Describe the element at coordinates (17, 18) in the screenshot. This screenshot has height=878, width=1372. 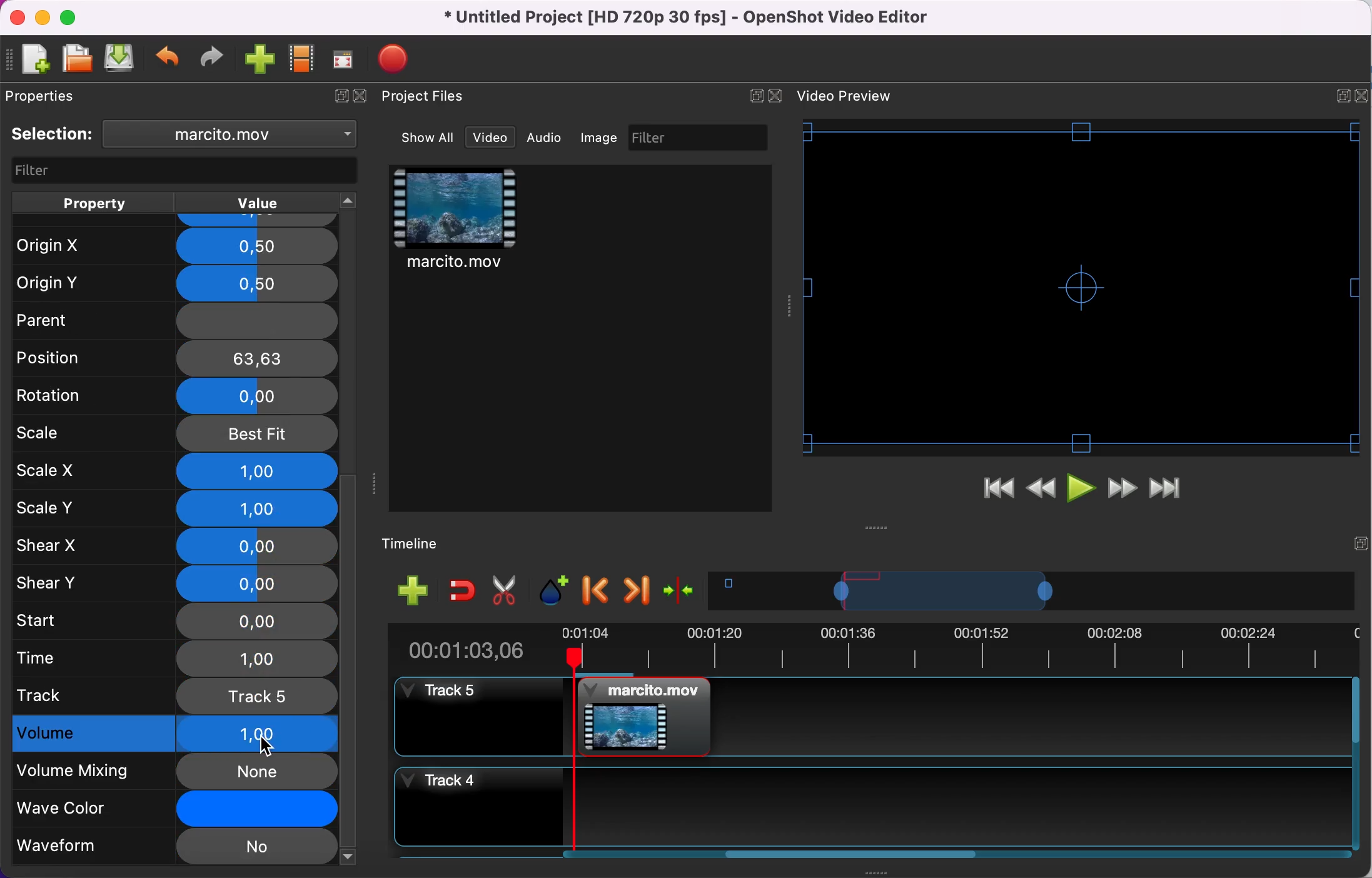
I see `close` at that location.